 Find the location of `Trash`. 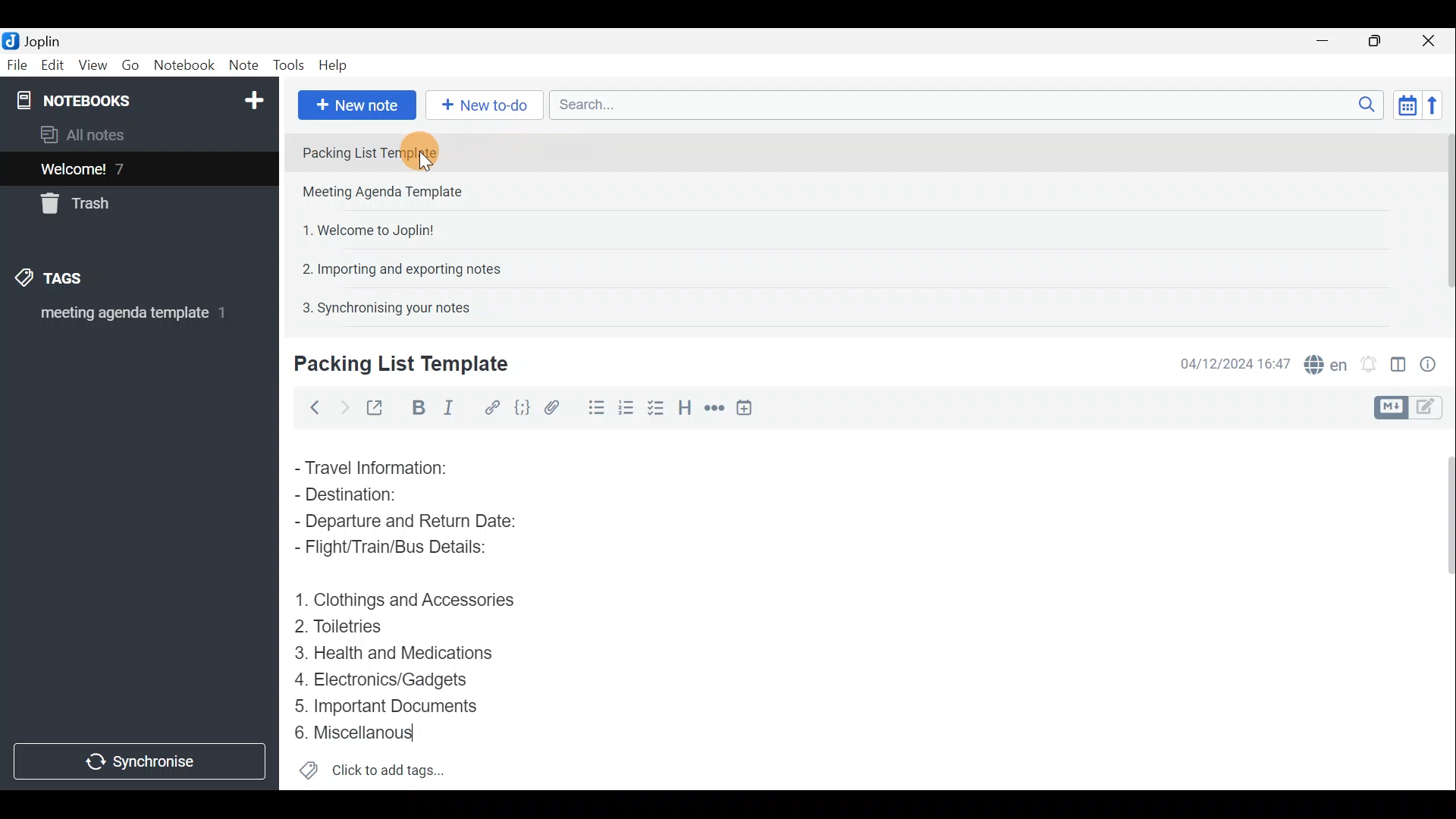

Trash is located at coordinates (81, 206).